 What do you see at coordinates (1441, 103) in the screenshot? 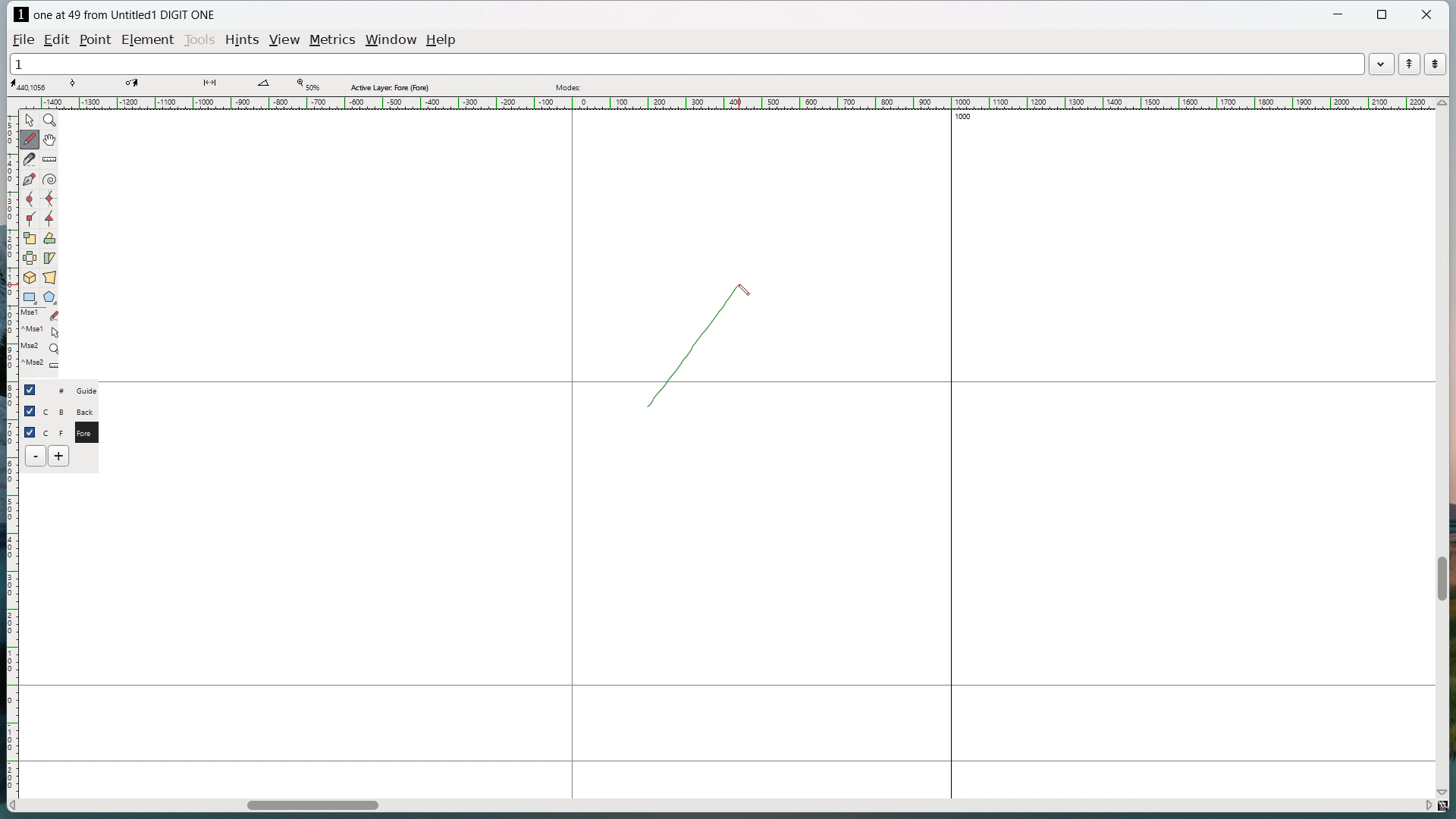
I see `scroll up` at bounding box center [1441, 103].